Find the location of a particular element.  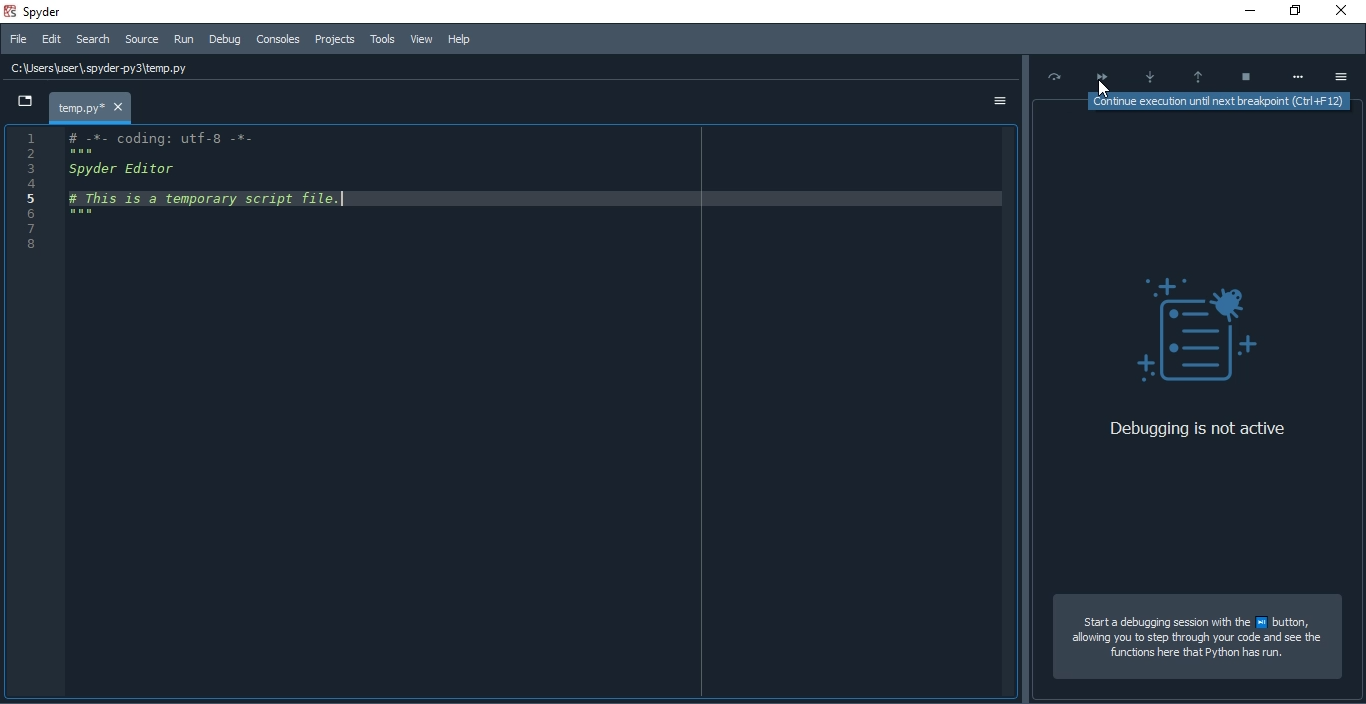

dropdown is located at coordinates (25, 101).